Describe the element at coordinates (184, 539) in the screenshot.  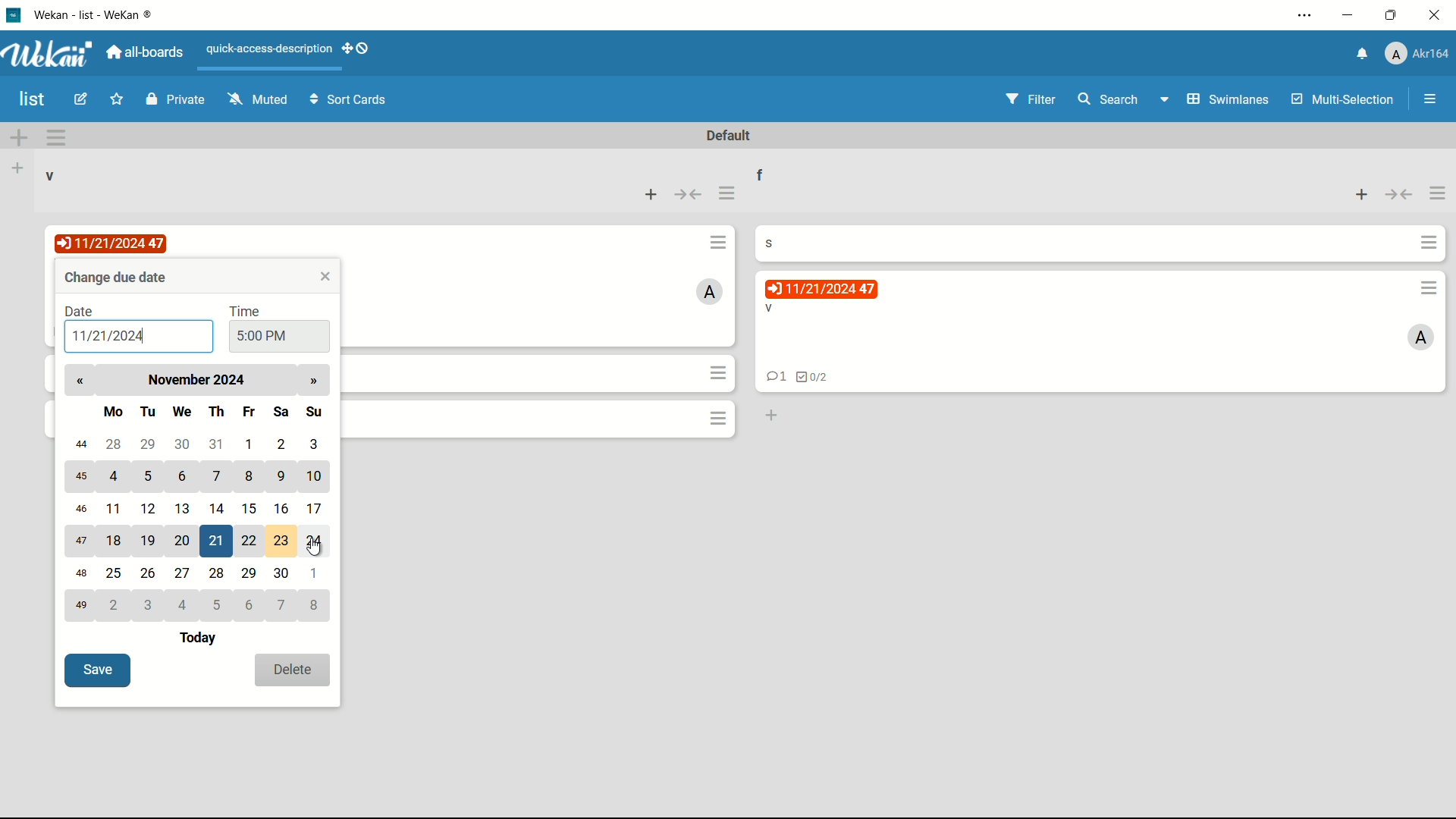
I see `20` at that location.